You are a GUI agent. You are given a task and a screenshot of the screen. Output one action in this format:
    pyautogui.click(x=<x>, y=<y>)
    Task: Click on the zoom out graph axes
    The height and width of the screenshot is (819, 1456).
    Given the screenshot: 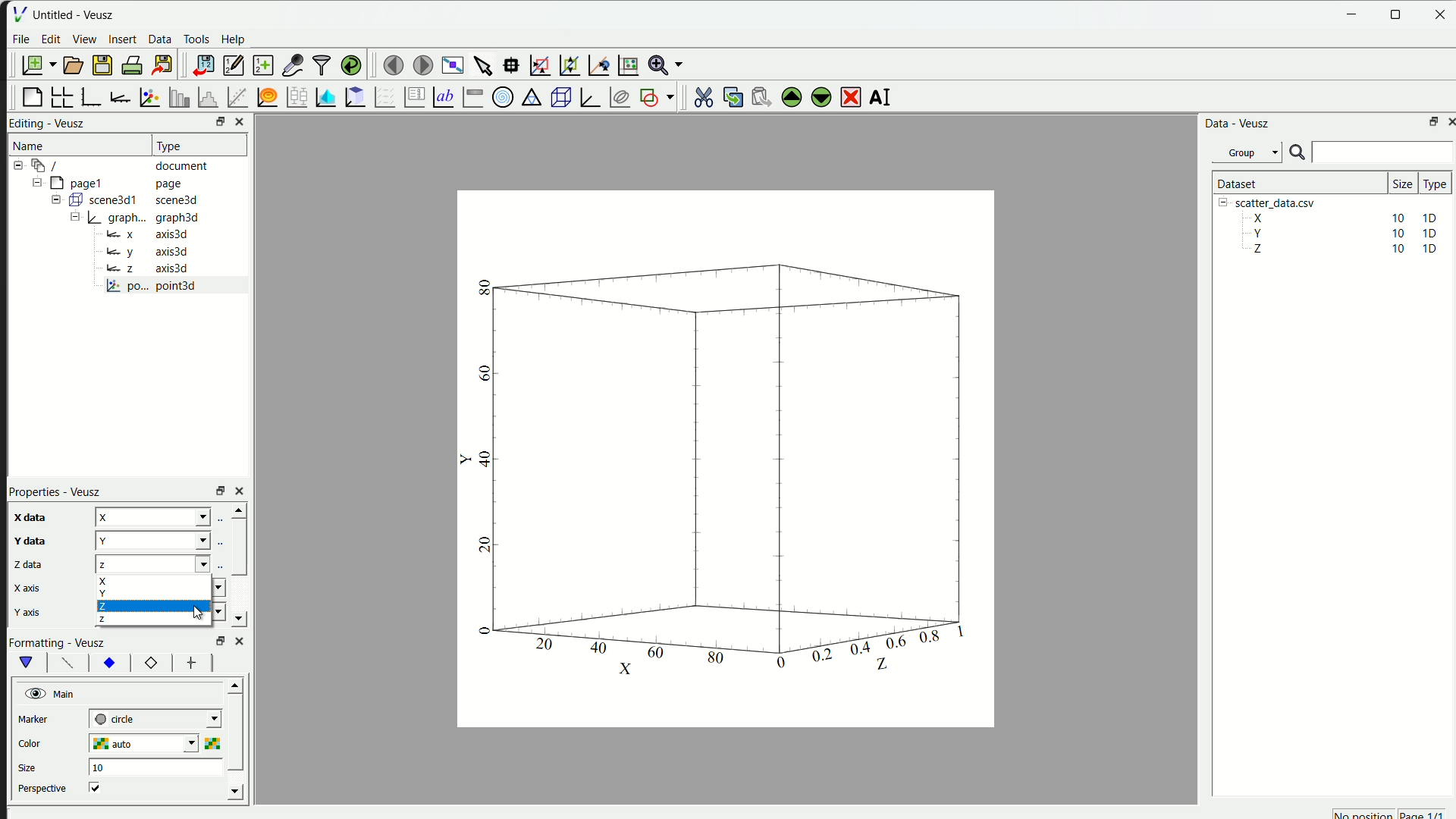 What is the action you would take?
    pyautogui.click(x=567, y=66)
    